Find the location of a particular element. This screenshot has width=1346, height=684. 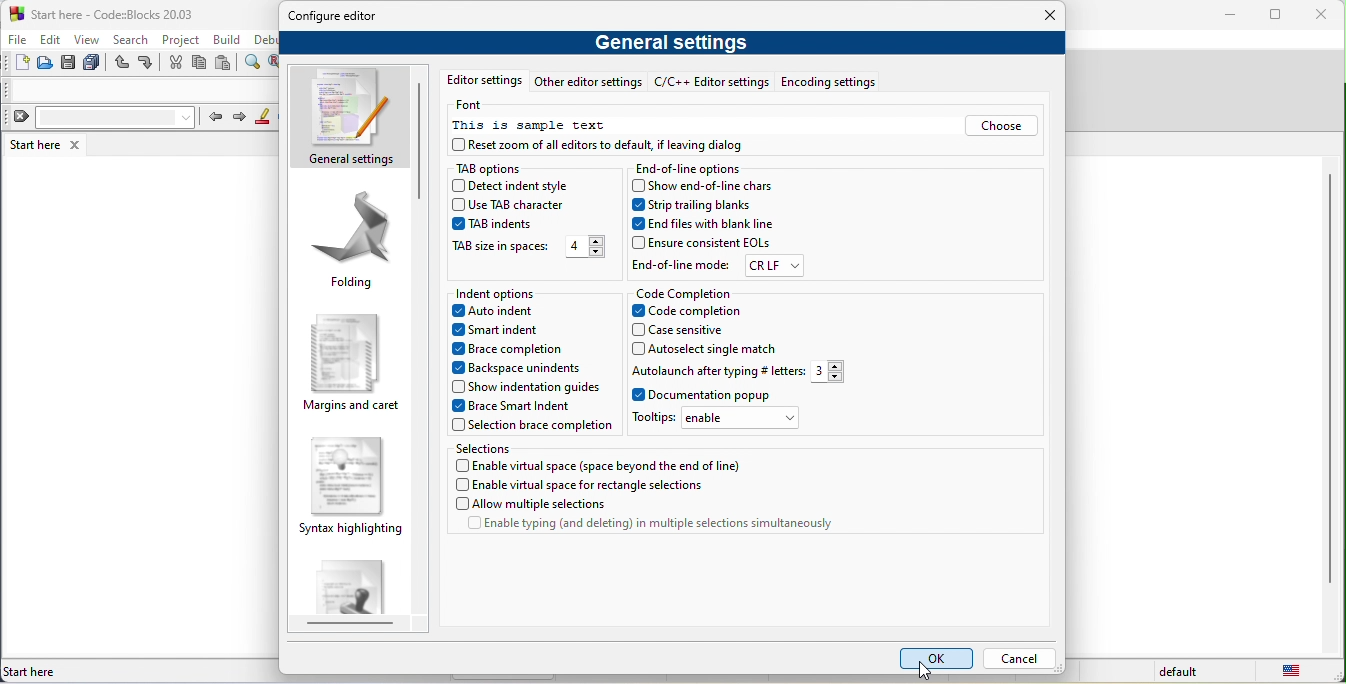

open is located at coordinates (46, 66).